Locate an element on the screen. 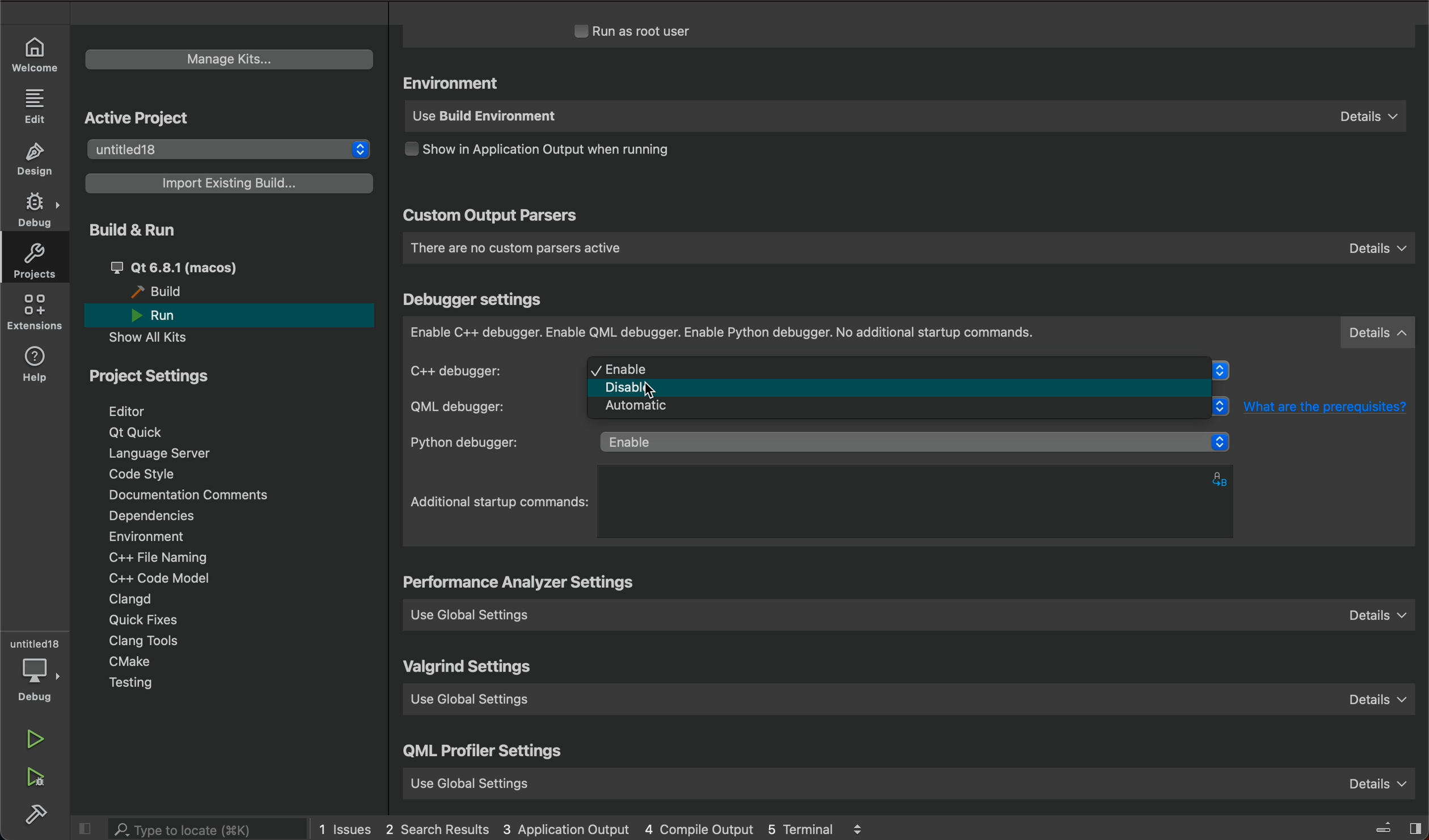 Image resolution: width=1429 pixels, height=840 pixels. qt  is located at coordinates (139, 431).